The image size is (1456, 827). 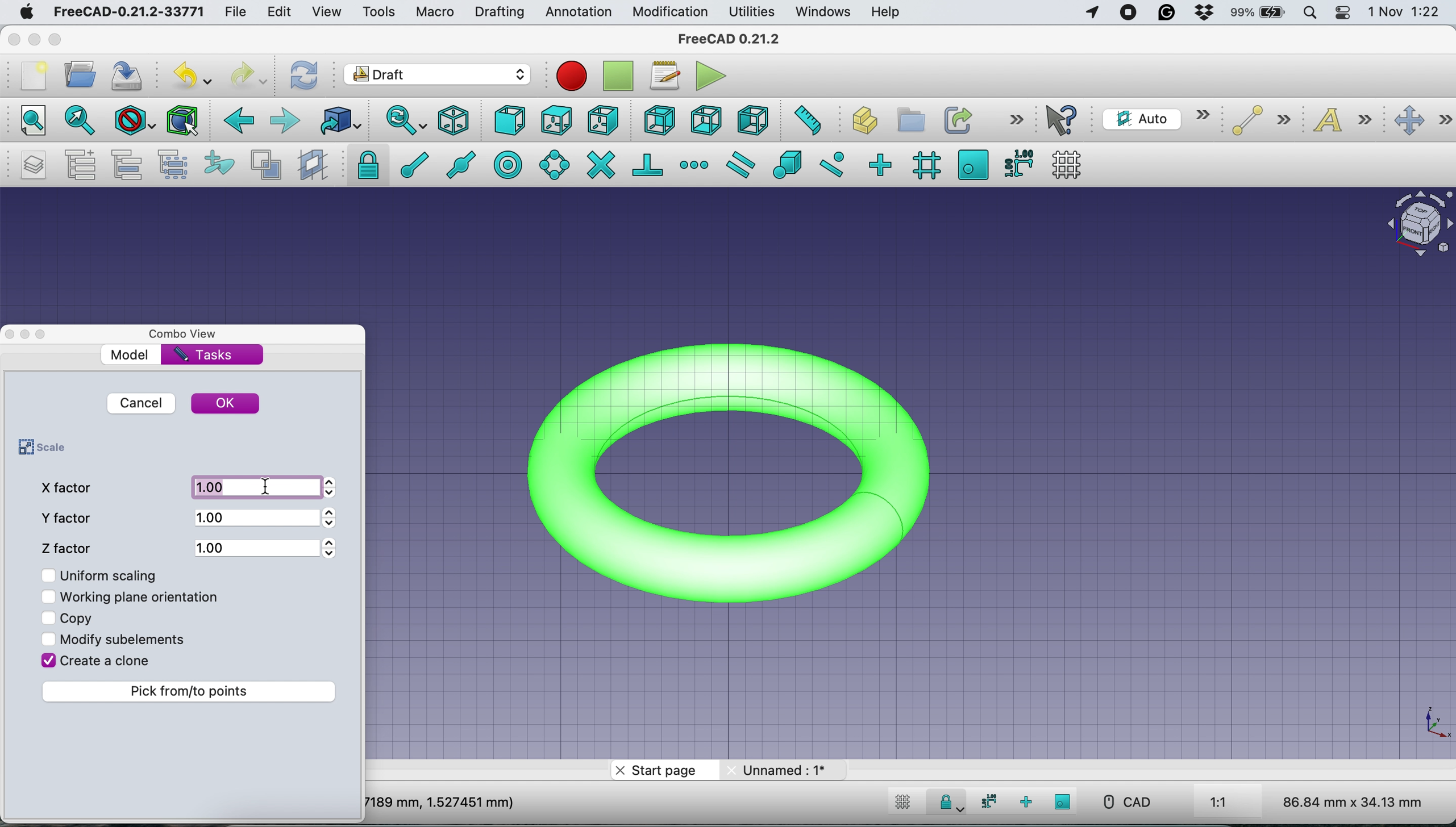 I want to click on snap perpendicular, so click(x=648, y=164).